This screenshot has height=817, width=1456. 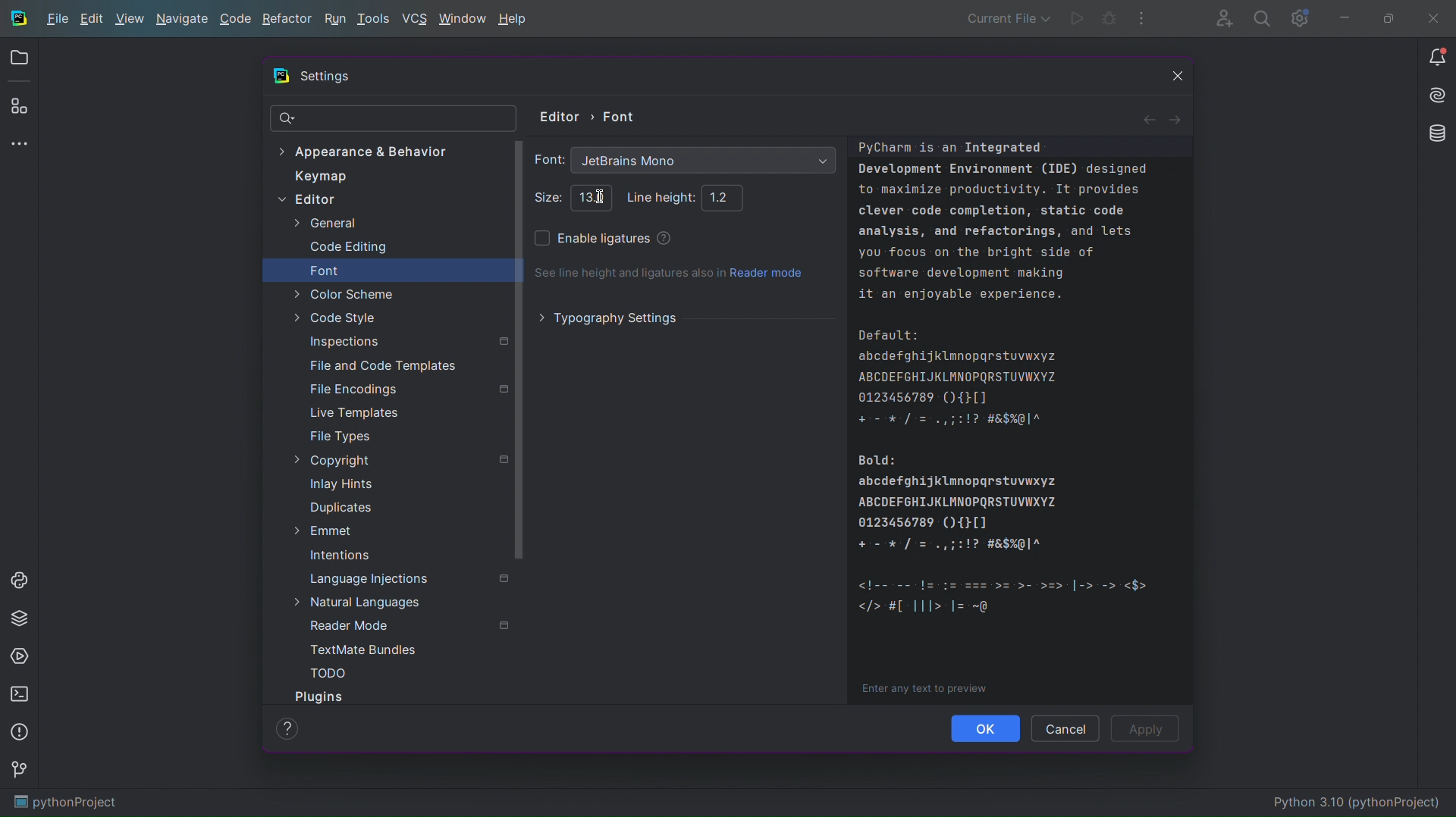 What do you see at coordinates (462, 20) in the screenshot?
I see `Window` at bounding box center [462, 20].